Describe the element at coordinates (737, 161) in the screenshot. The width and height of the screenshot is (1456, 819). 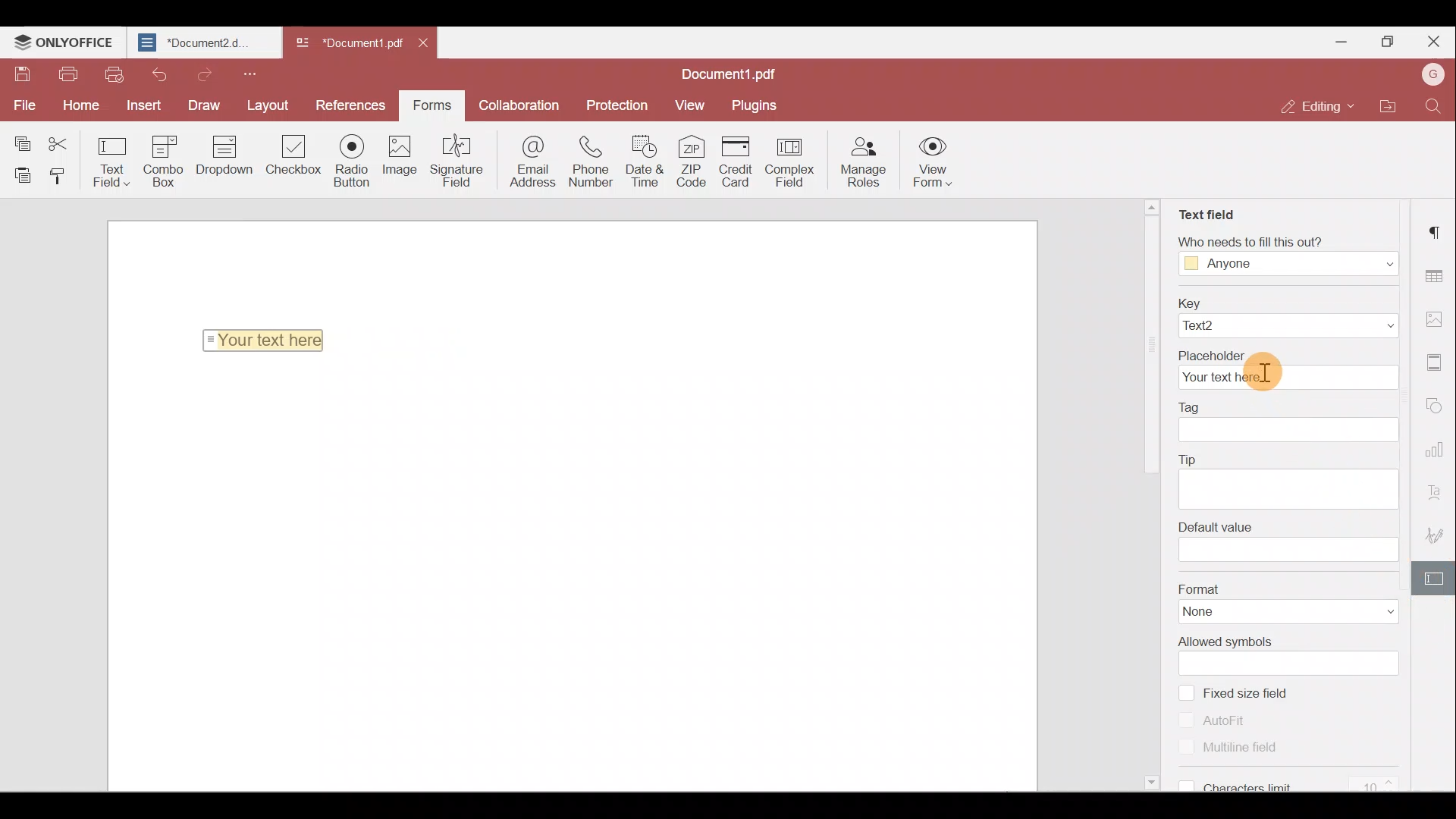
I see `Credit card` at that location.